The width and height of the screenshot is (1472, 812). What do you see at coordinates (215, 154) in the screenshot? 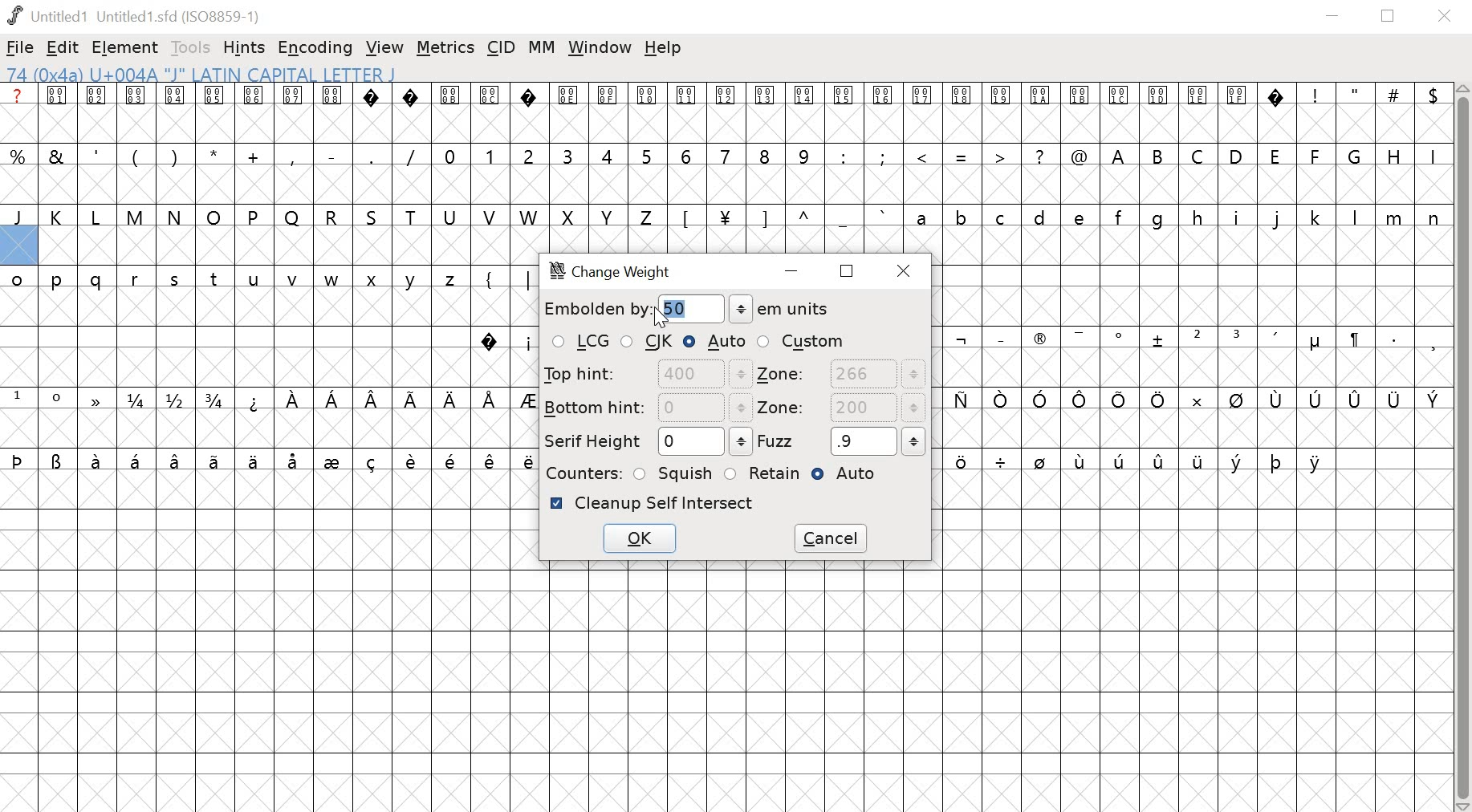
I see `special characters` at bounding box center [215, 154].